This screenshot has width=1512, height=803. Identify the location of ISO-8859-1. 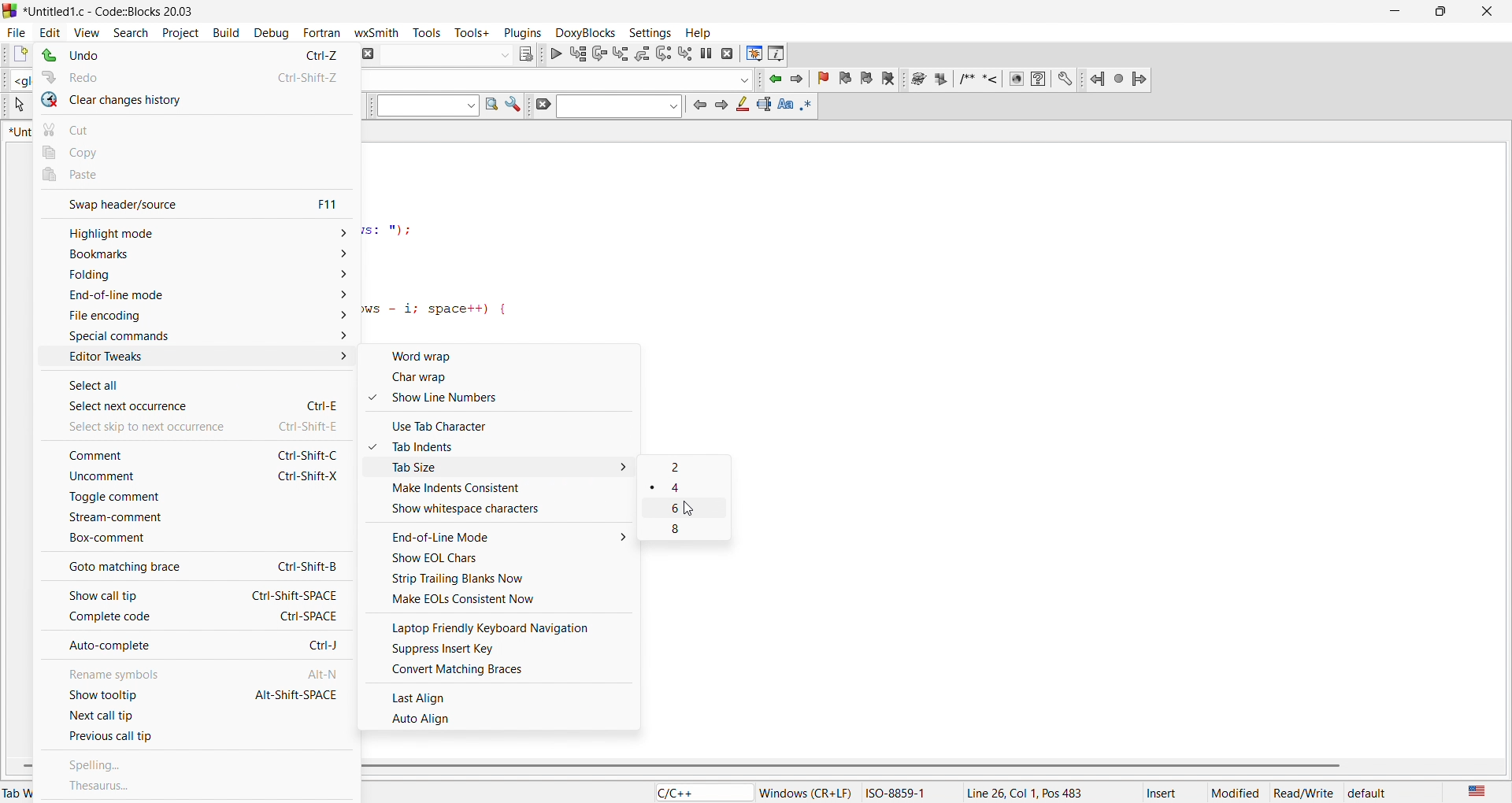
(906, 791).